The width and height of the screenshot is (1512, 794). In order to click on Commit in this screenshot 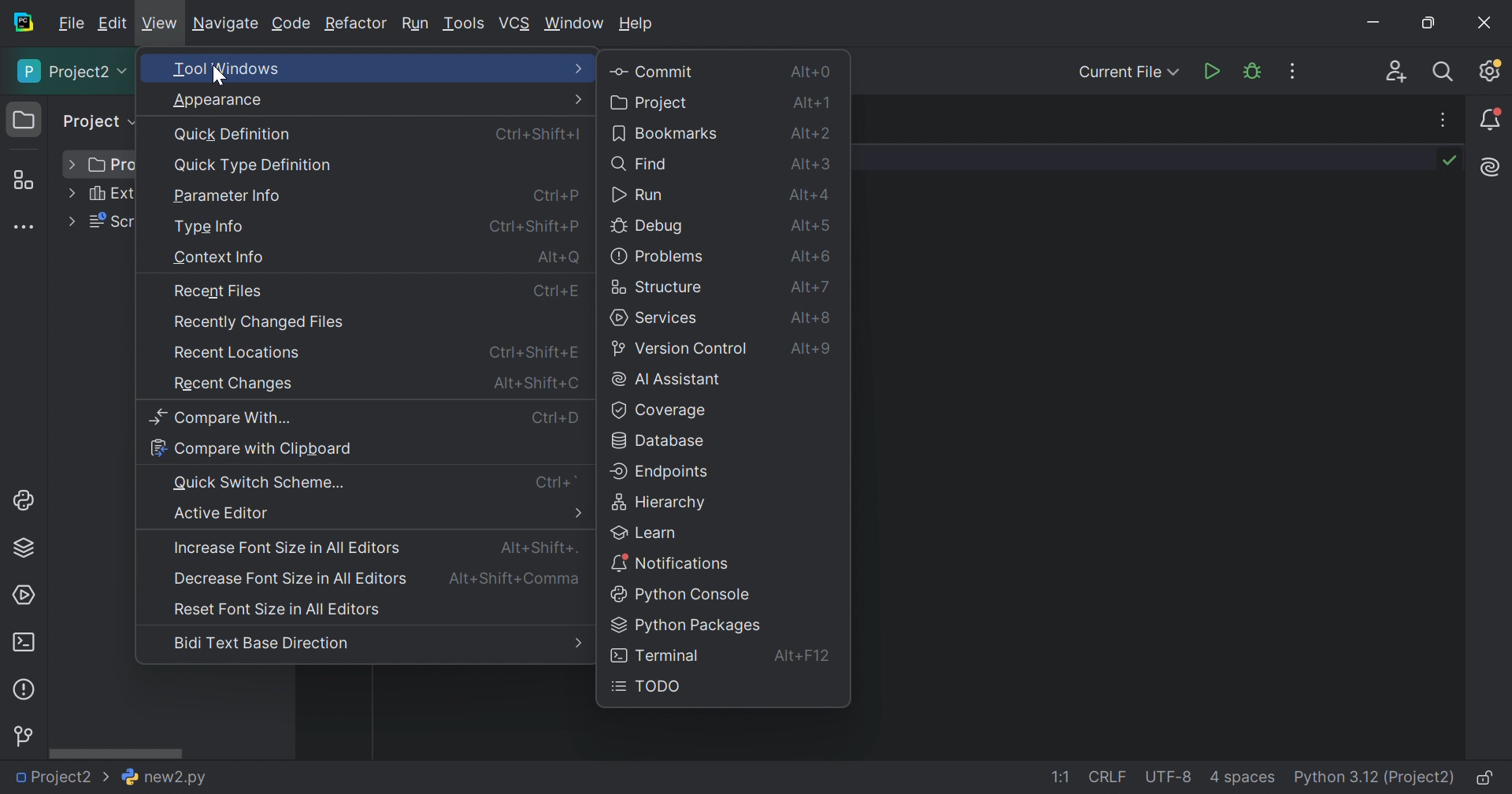, I will do `click(655, 71)`.